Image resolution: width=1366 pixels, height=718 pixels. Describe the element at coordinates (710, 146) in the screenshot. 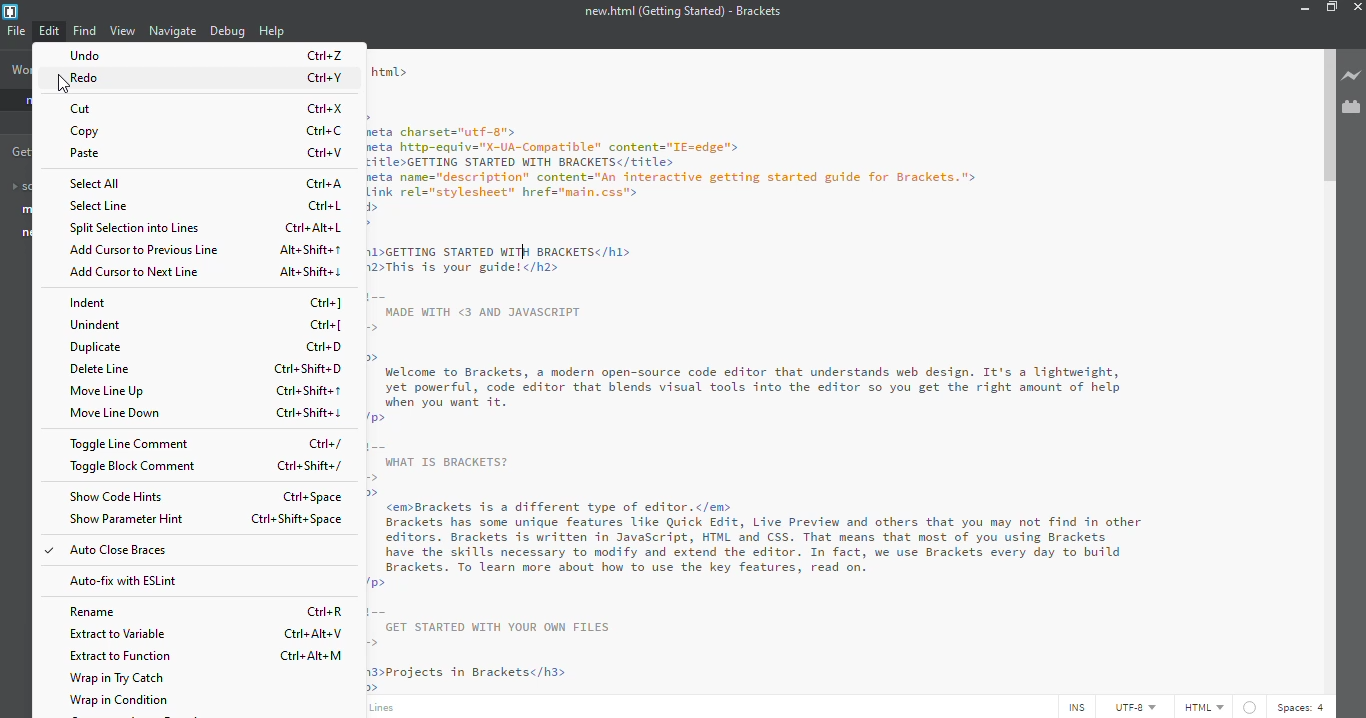

I see `DOCTYPE html>
htal>
<head>
<meta charsets="utf-g">
<meta http-equiv="X-UA-Conpatible" content="TE-edge">
<title>GETTING STARTED WITH BRACKETS</title>
<meta name="description” content="An interactive getting started guide for Brackets.">
<link rel="stylesheet" href="nain.css">
</head>
priury` at that location.